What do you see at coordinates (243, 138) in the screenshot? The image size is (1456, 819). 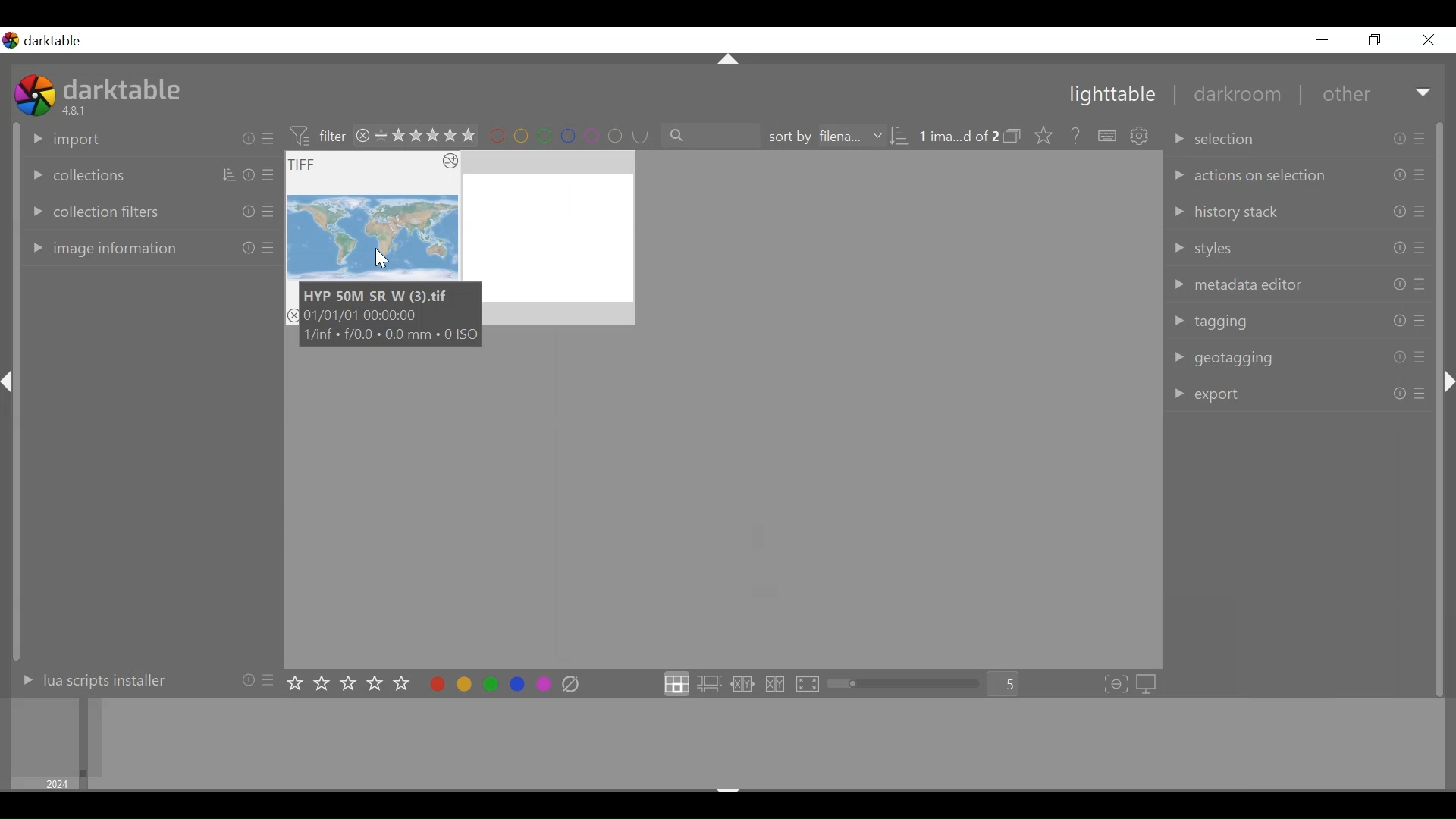 I see `reset` at bounding box center [243, 138].